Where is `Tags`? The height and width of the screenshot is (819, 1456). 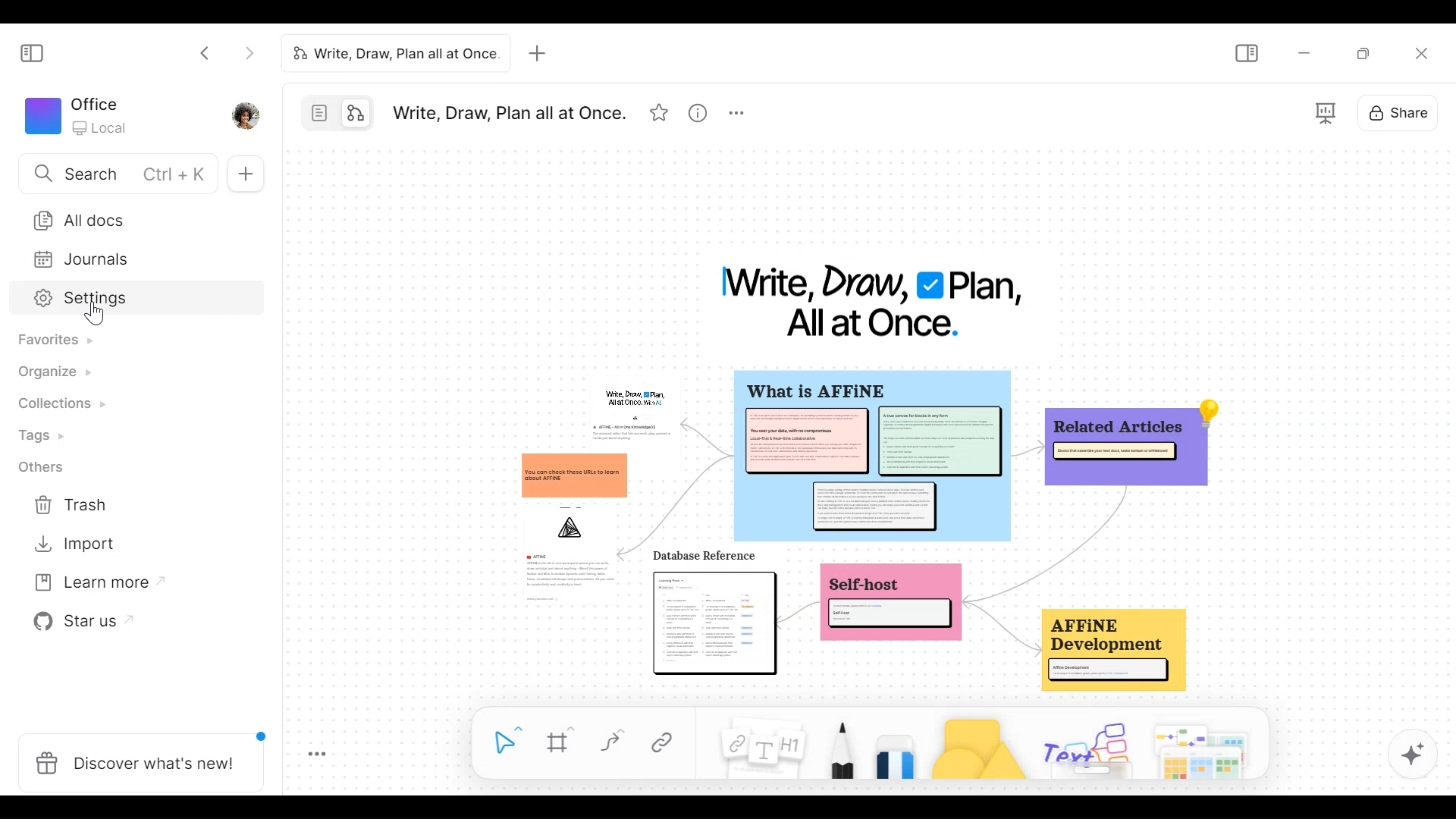
Tags is located at coordinates (46, 436).